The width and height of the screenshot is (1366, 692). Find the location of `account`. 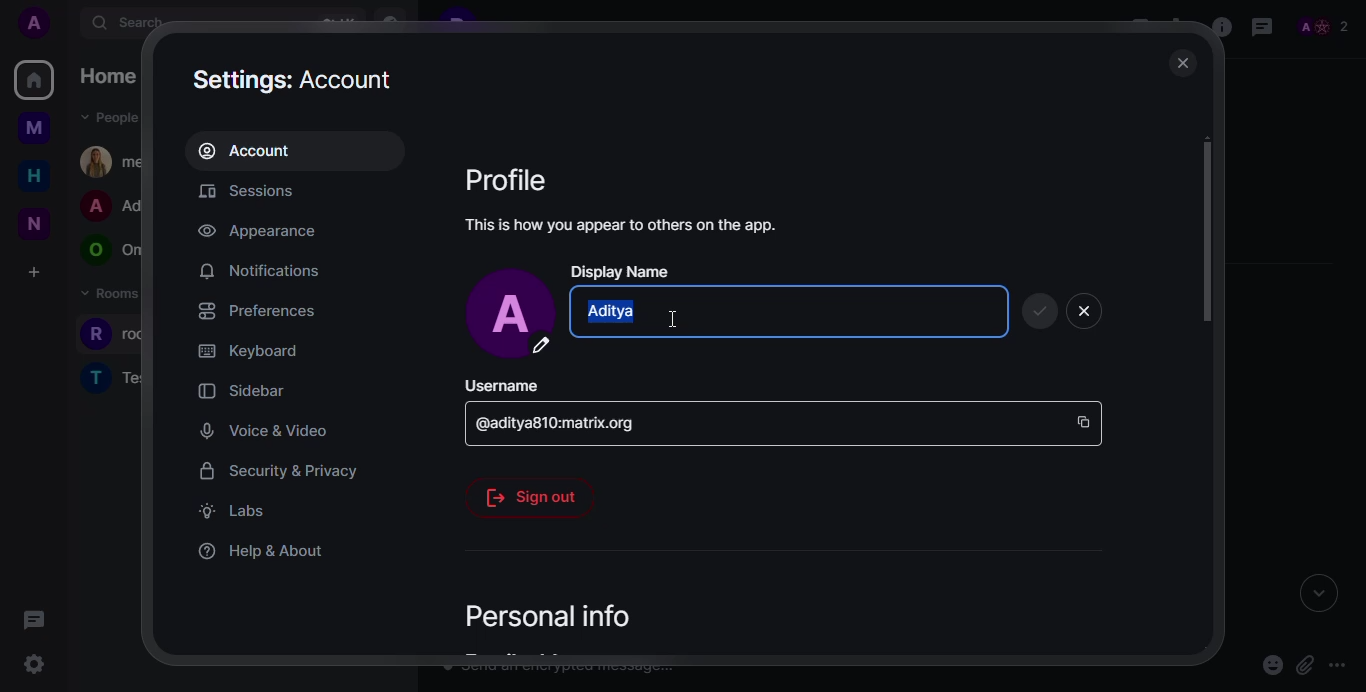

account is located at coordinates (254, 150).